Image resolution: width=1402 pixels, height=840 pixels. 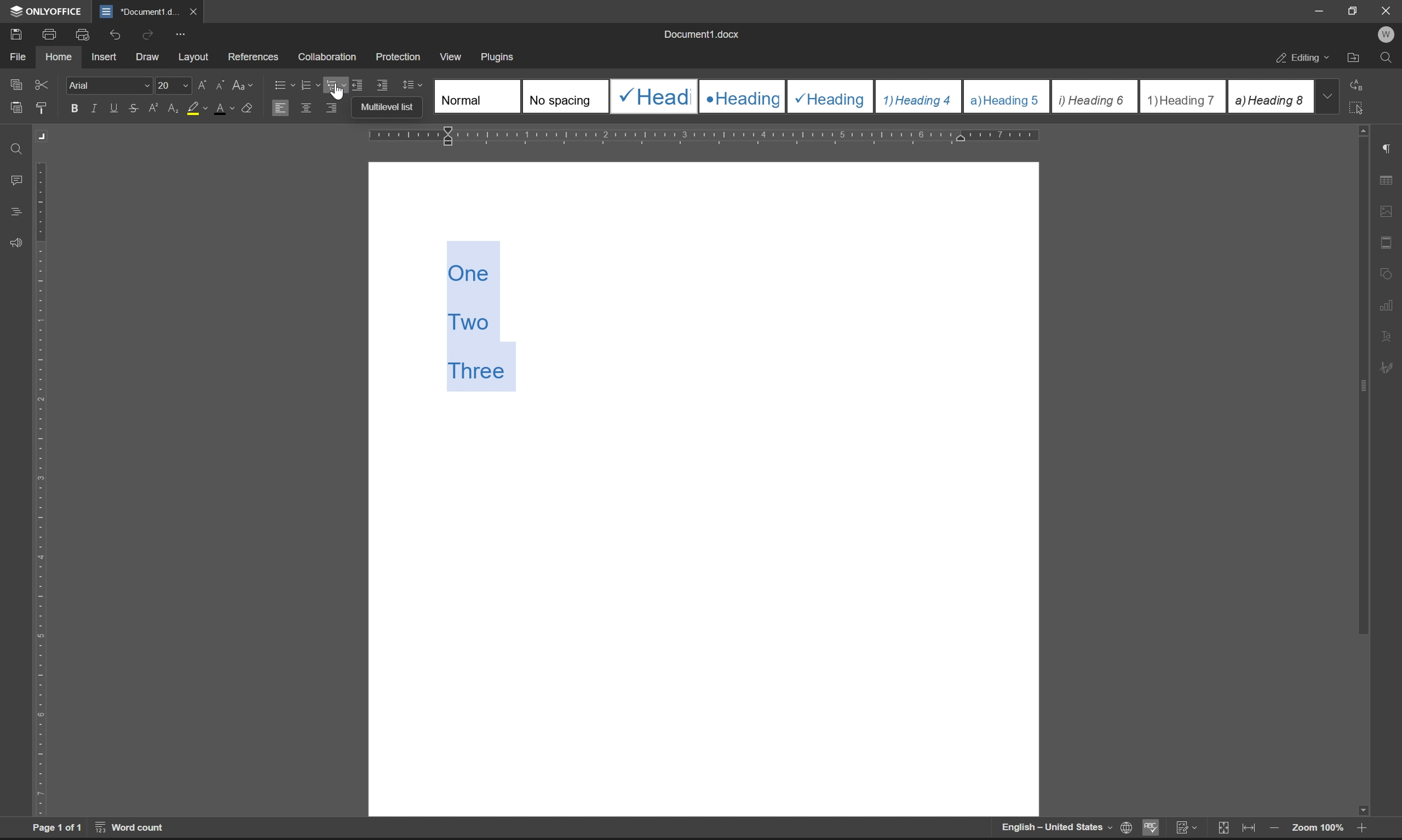 I want to click on text art settings, so click(x=1386, y=336).